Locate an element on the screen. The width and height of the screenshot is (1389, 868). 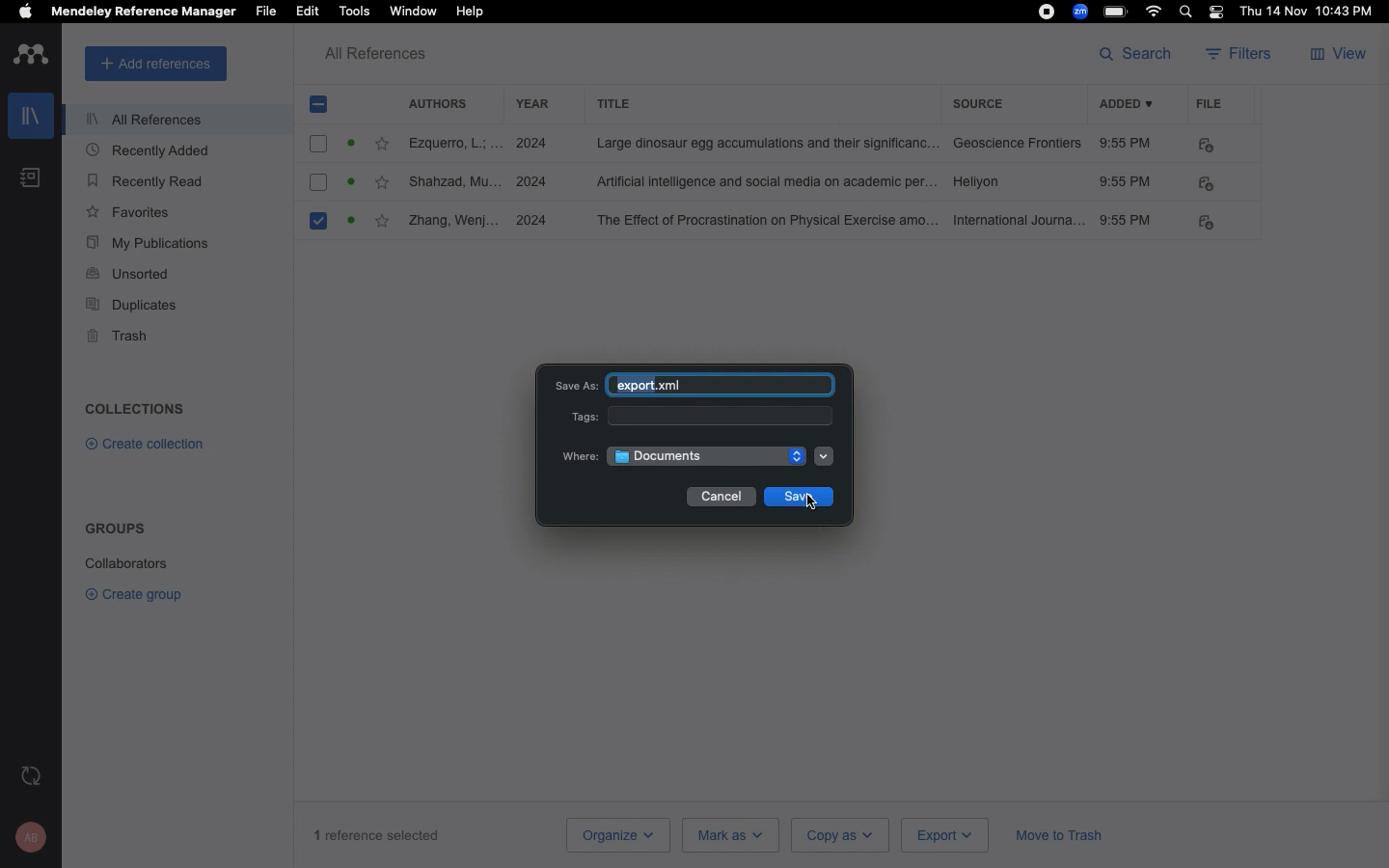
Hellyon is located at coordinates (978, 179).